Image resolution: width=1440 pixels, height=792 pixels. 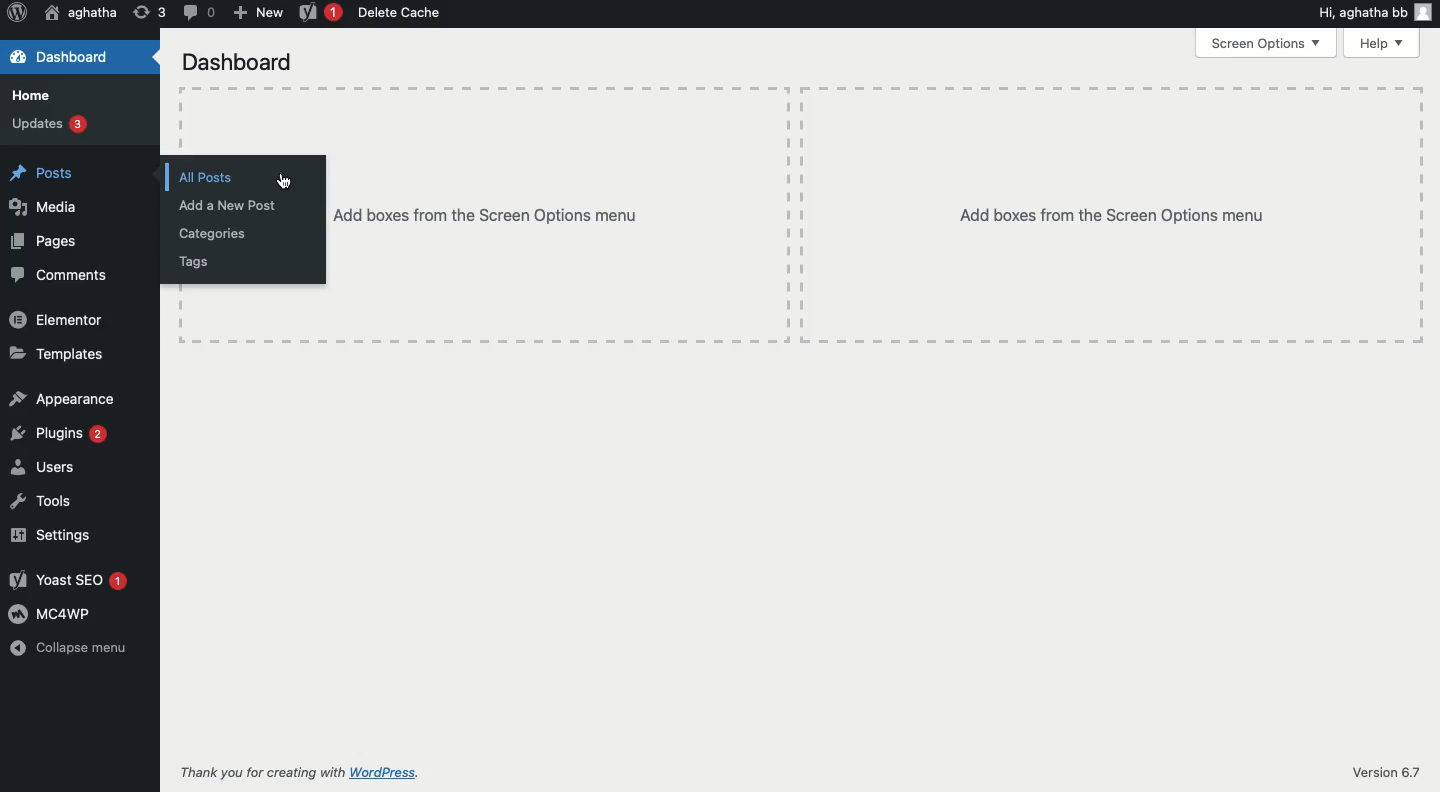 I want to click on Dashboard, so click(x=65, y=58).